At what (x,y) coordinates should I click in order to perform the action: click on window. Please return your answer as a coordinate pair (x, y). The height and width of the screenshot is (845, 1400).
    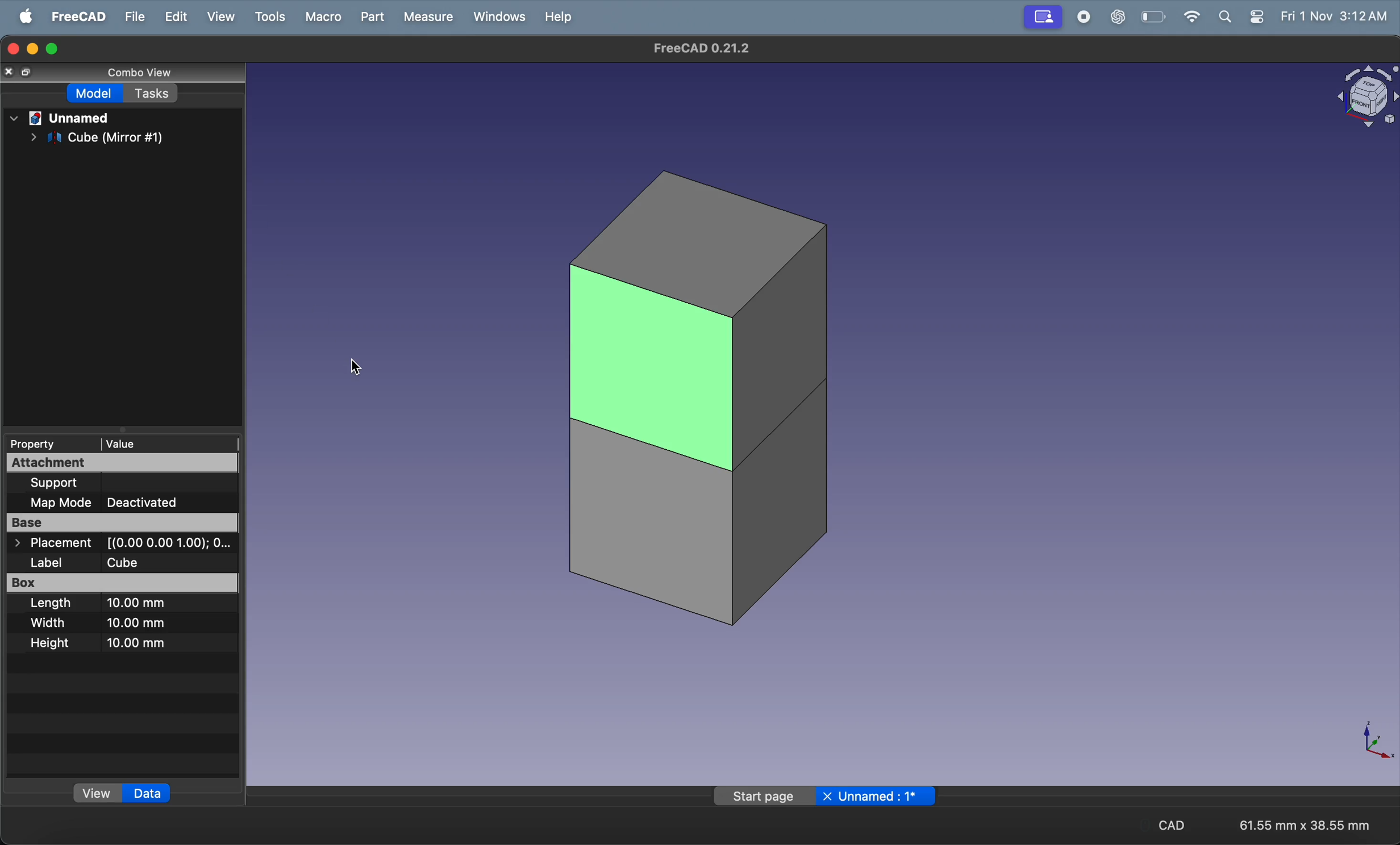
    Looking at the image, I should click on (497, 17).